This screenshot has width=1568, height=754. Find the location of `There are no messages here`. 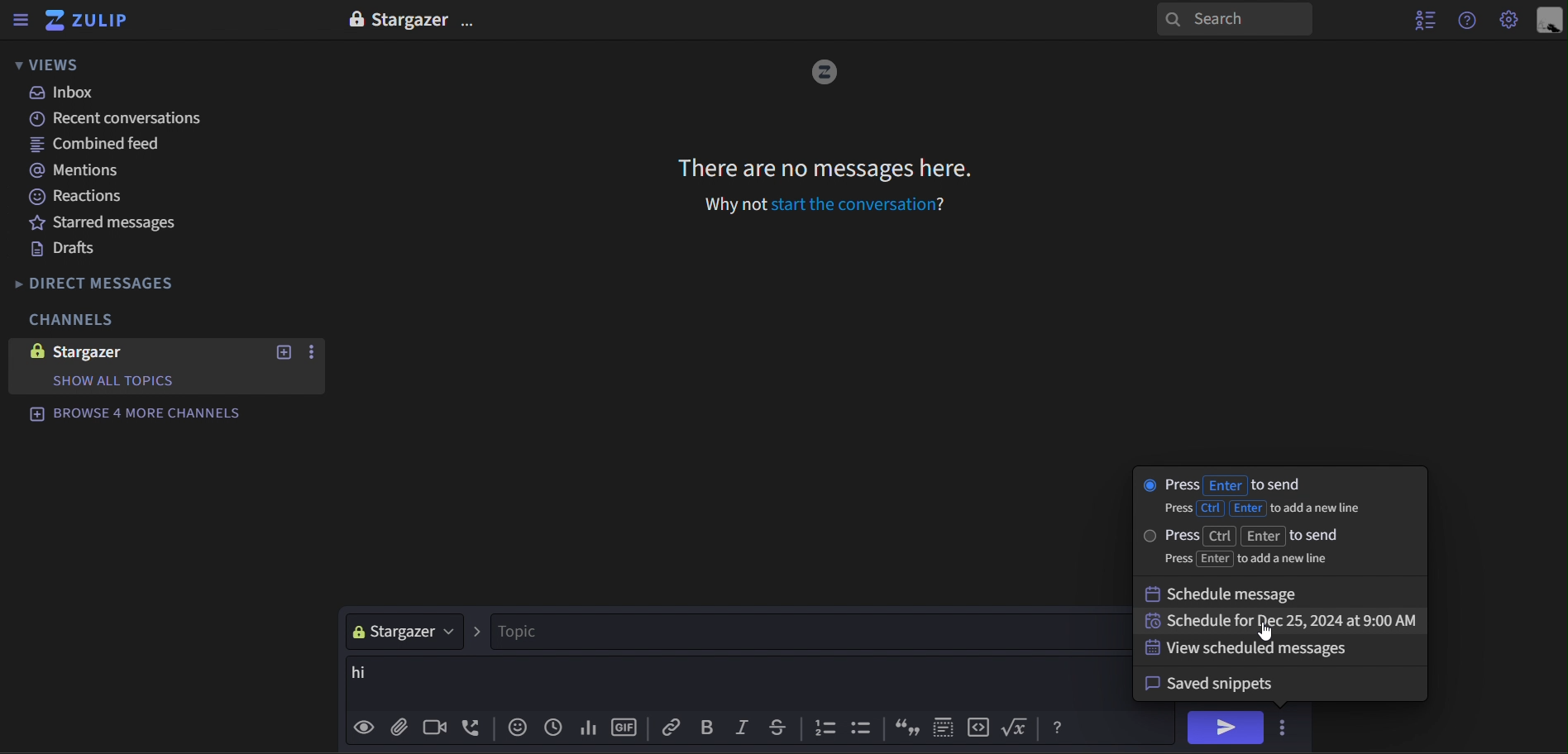

There are no messages here is located at coordinates (829, 171).